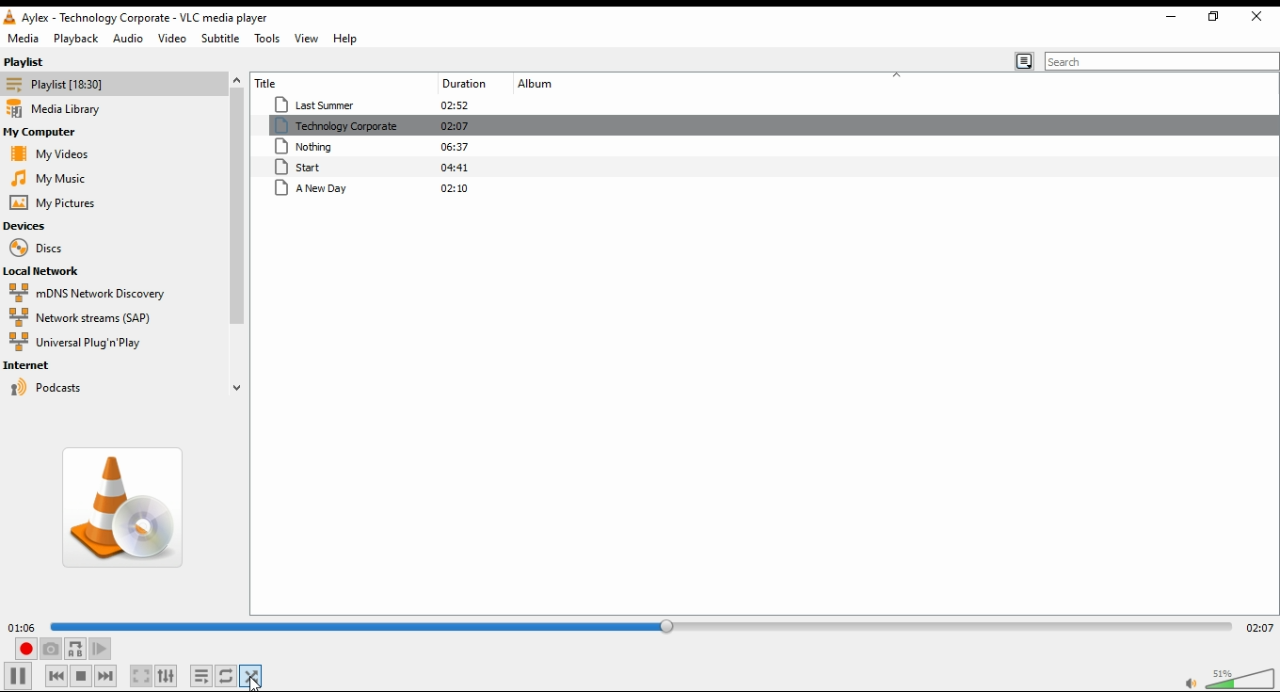 The image size is (1280, 692). What do you see at coordinates (26, 225) in the screenshot?
I see `devices` at bounding box center [26, 225].